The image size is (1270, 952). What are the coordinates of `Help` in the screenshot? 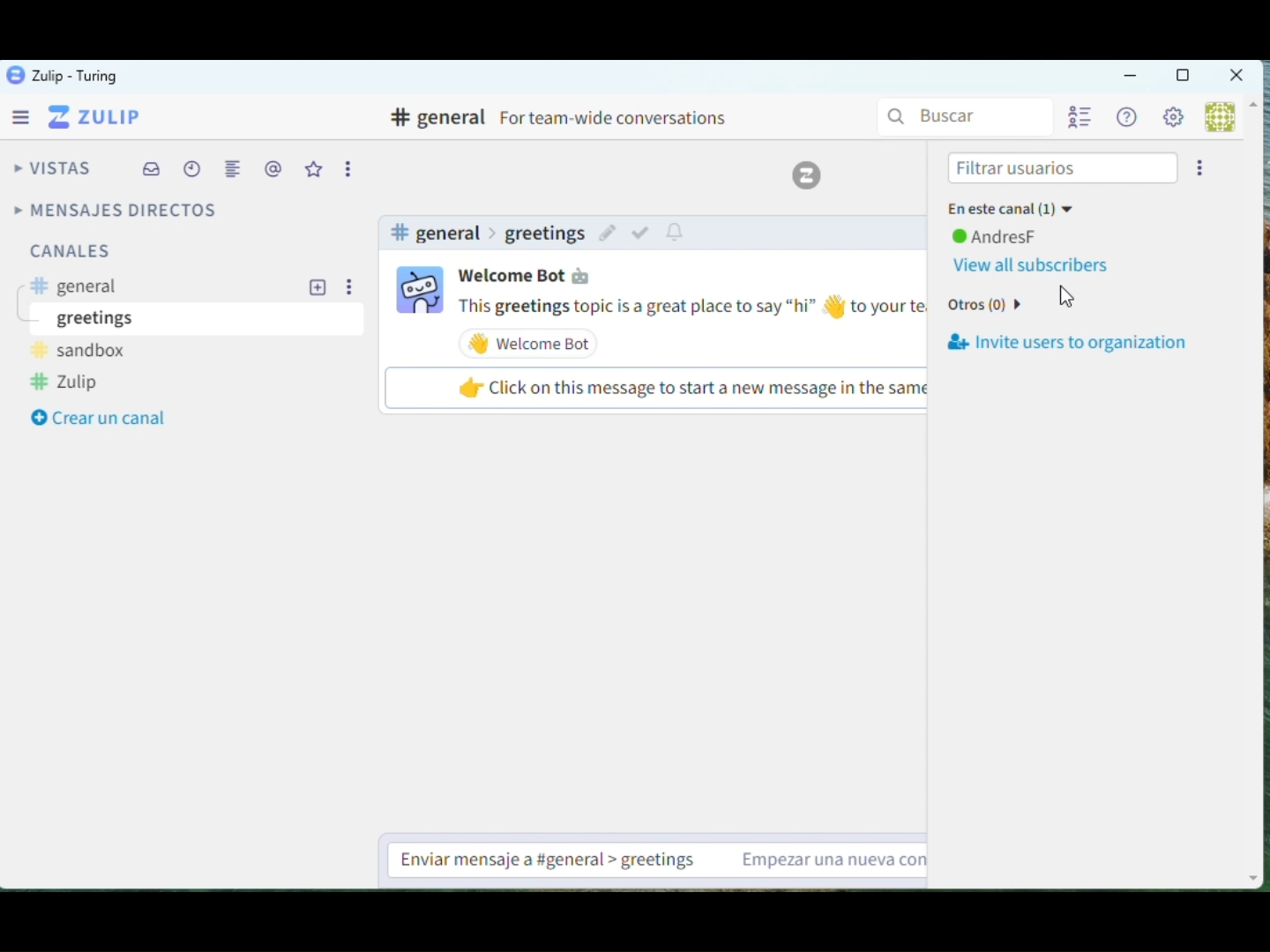 It's located at (1128, 115).